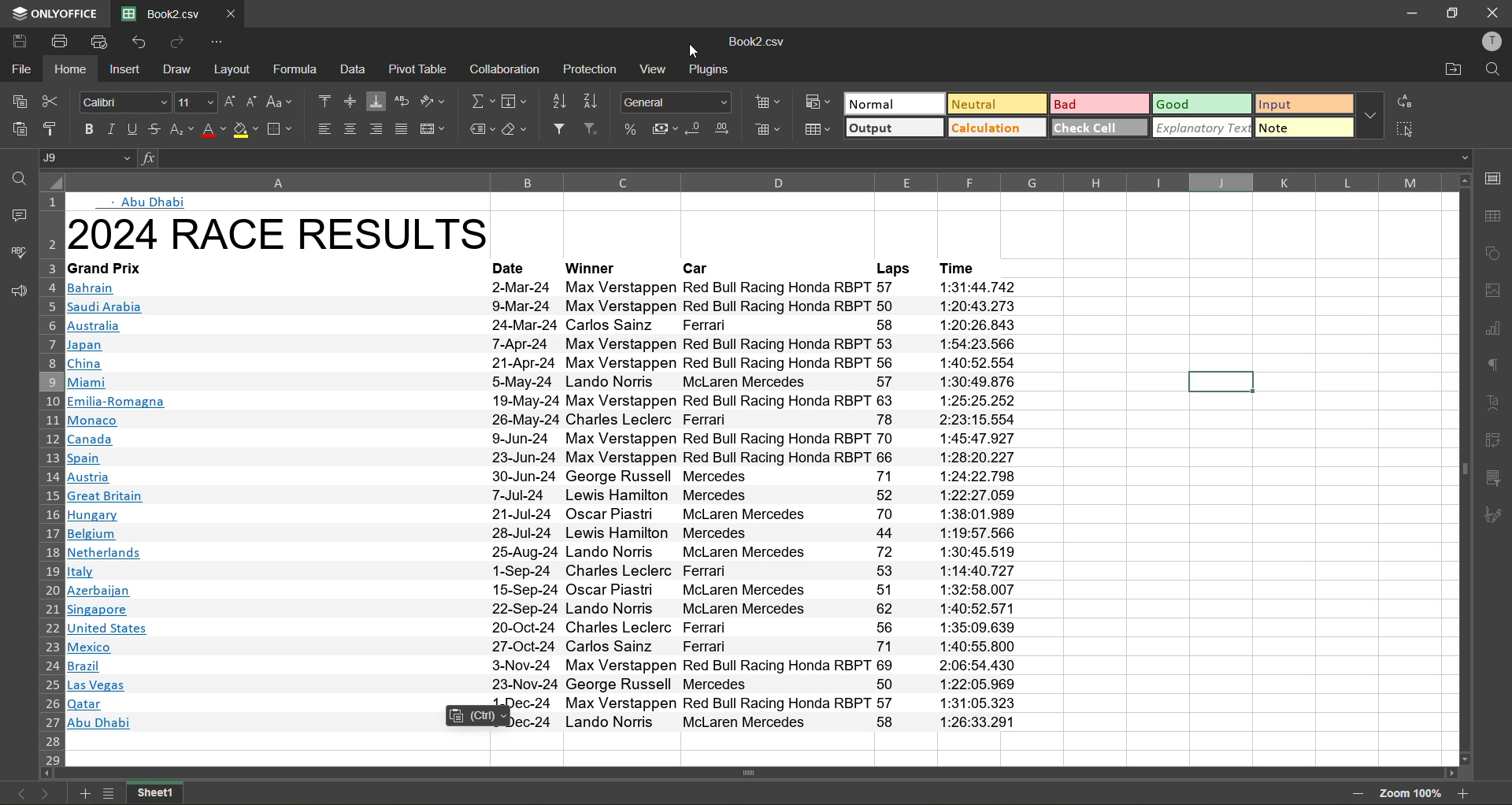  What do you see at coordinates (542, 515) in the screenshot?
I see `text info` at bounding box center [542, 515].